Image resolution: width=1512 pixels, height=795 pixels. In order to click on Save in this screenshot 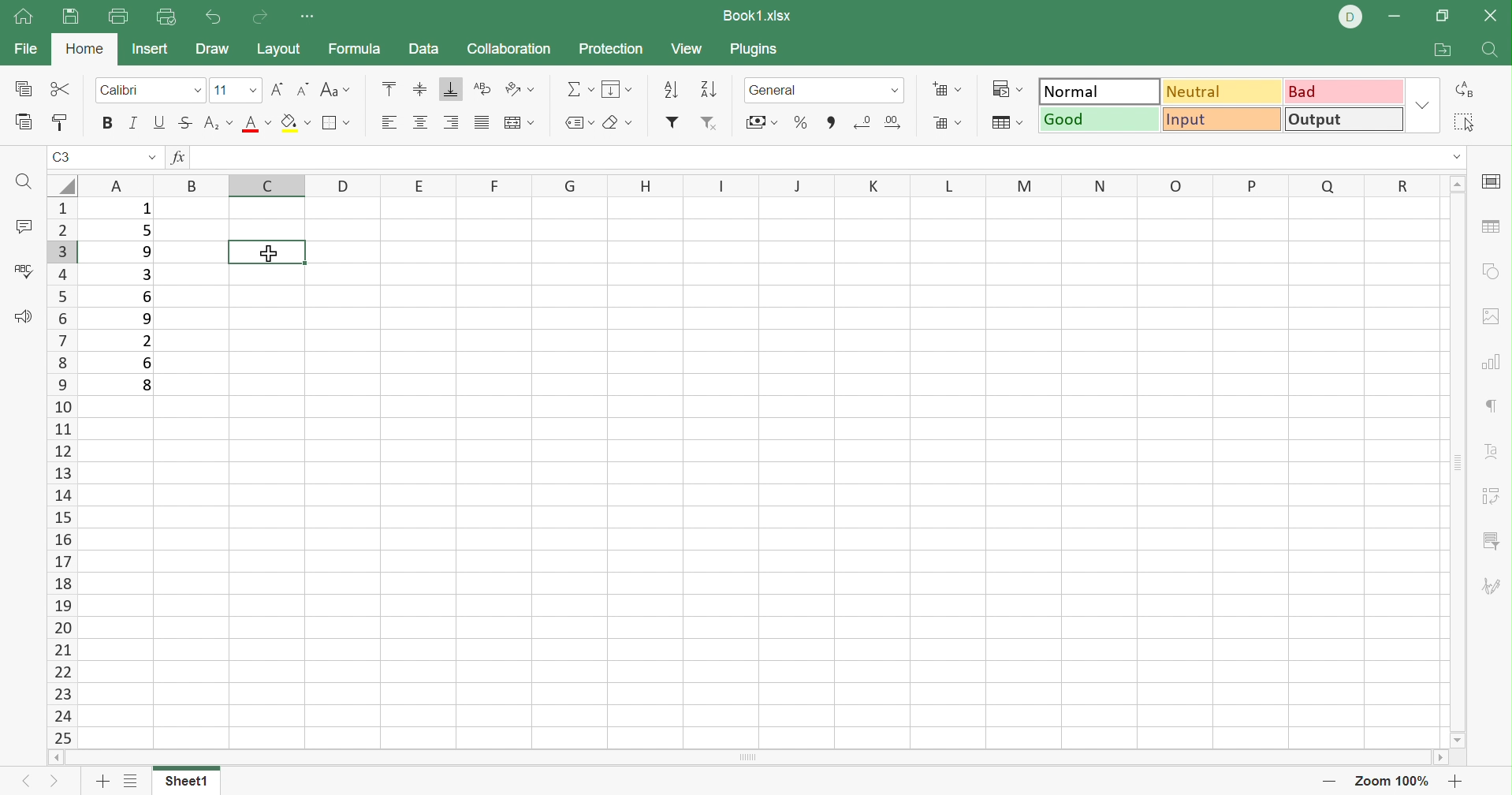, I will do `click(69, 17)`.